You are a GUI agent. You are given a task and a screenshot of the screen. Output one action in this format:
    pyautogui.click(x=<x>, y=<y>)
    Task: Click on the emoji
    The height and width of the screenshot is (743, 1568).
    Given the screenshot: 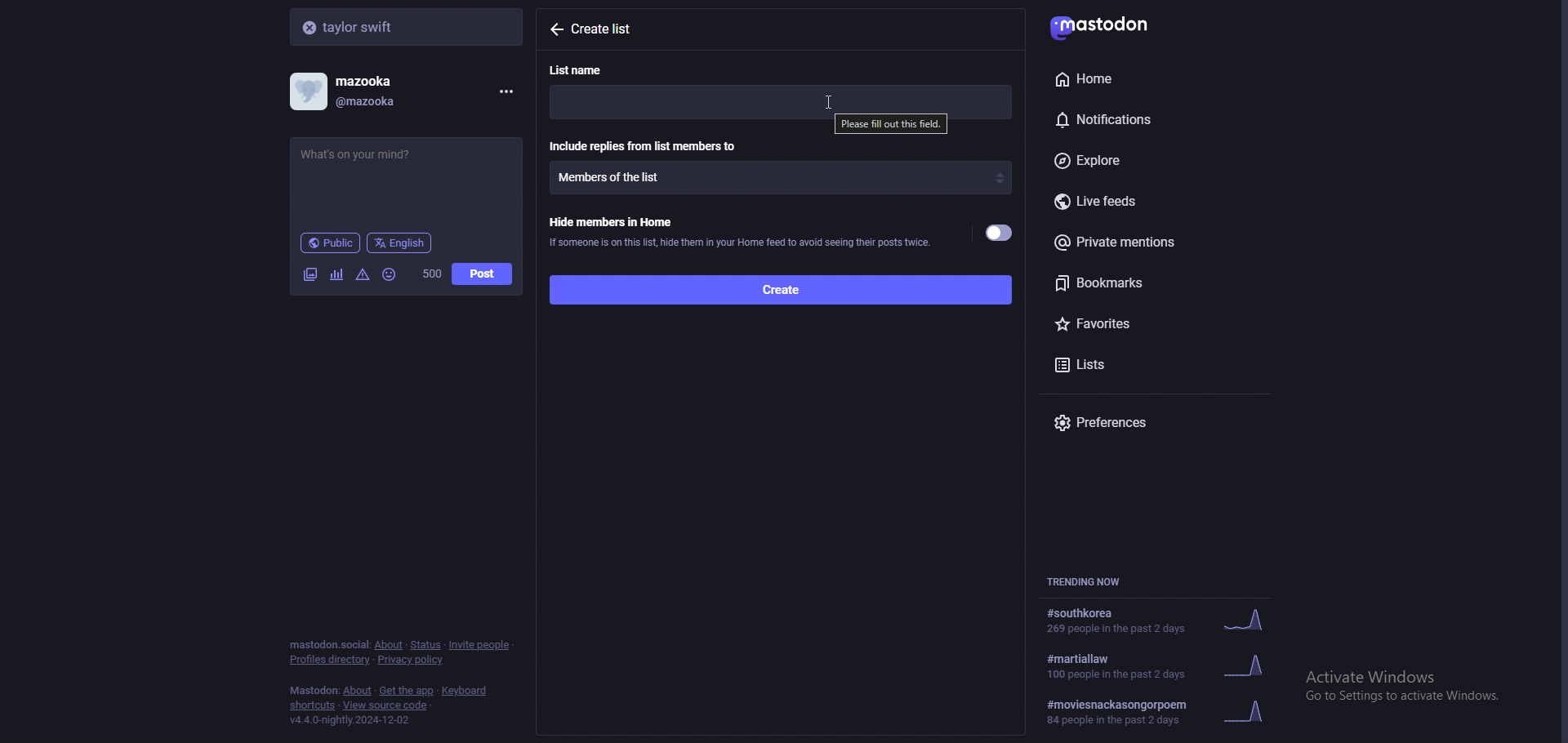 What is the action you would take?
    pyautogui.click(x=390, y=274)
    